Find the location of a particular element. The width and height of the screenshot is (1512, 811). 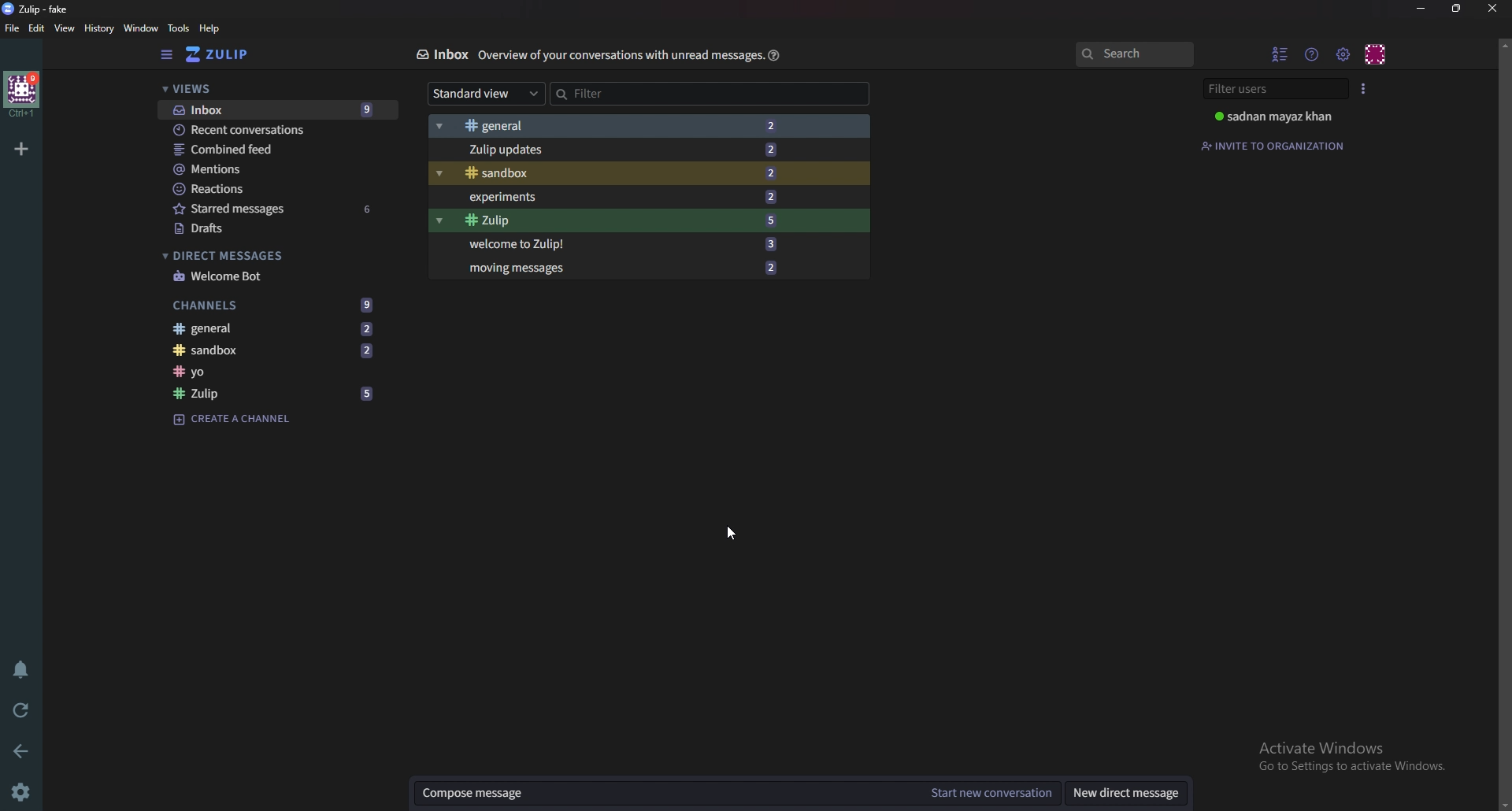

file is located at coordinates (13, 28).